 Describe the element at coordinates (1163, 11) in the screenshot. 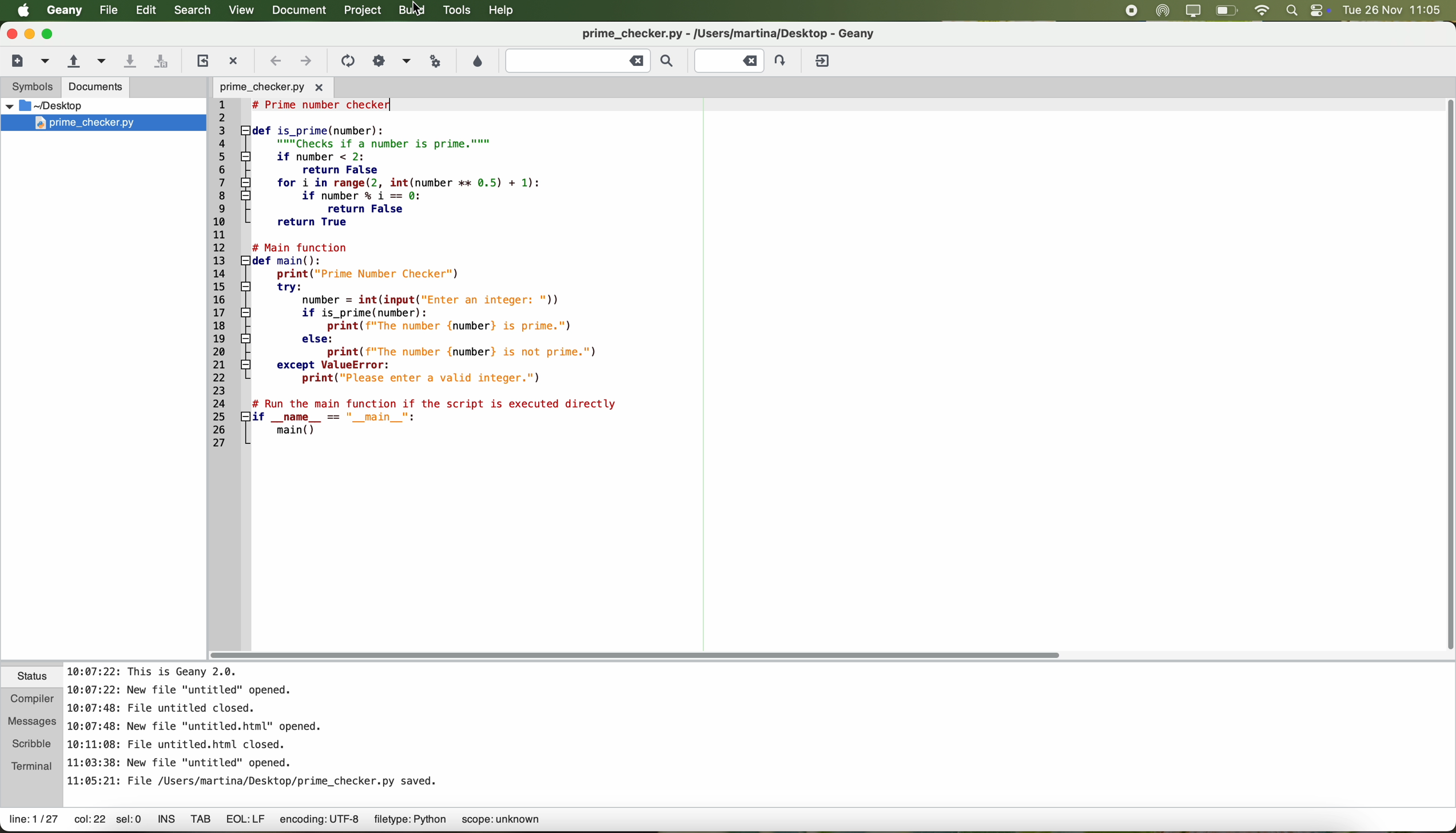

I see `airdrop` at that location.